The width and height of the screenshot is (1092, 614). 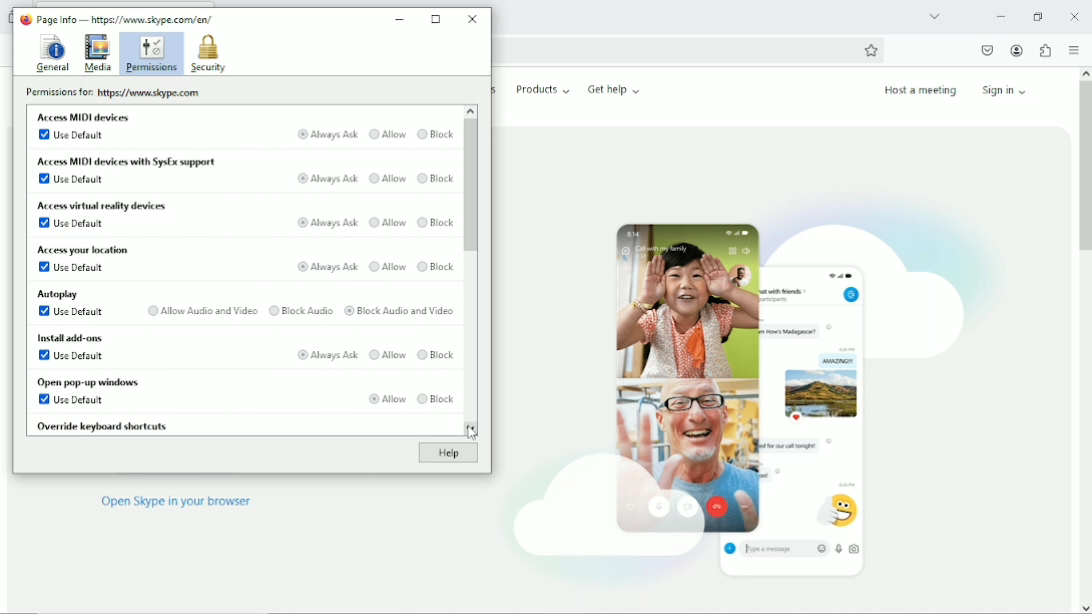 What do you see at coordinates (401, 16) in the screenshot?
I see `Minimize` at bounding box center [401, 16].